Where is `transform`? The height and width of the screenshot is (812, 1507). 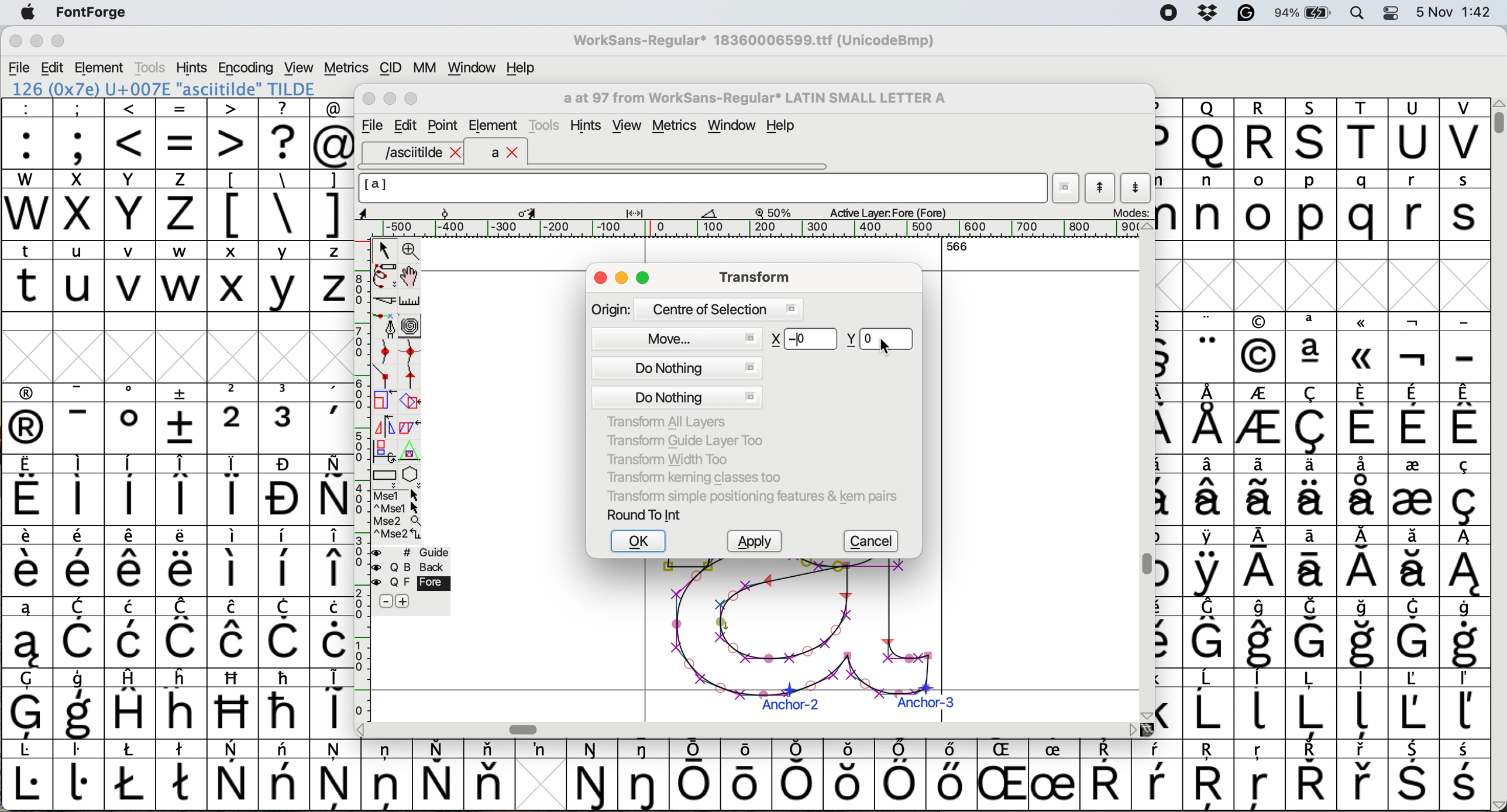 transform is located at coordinates (751, 276).